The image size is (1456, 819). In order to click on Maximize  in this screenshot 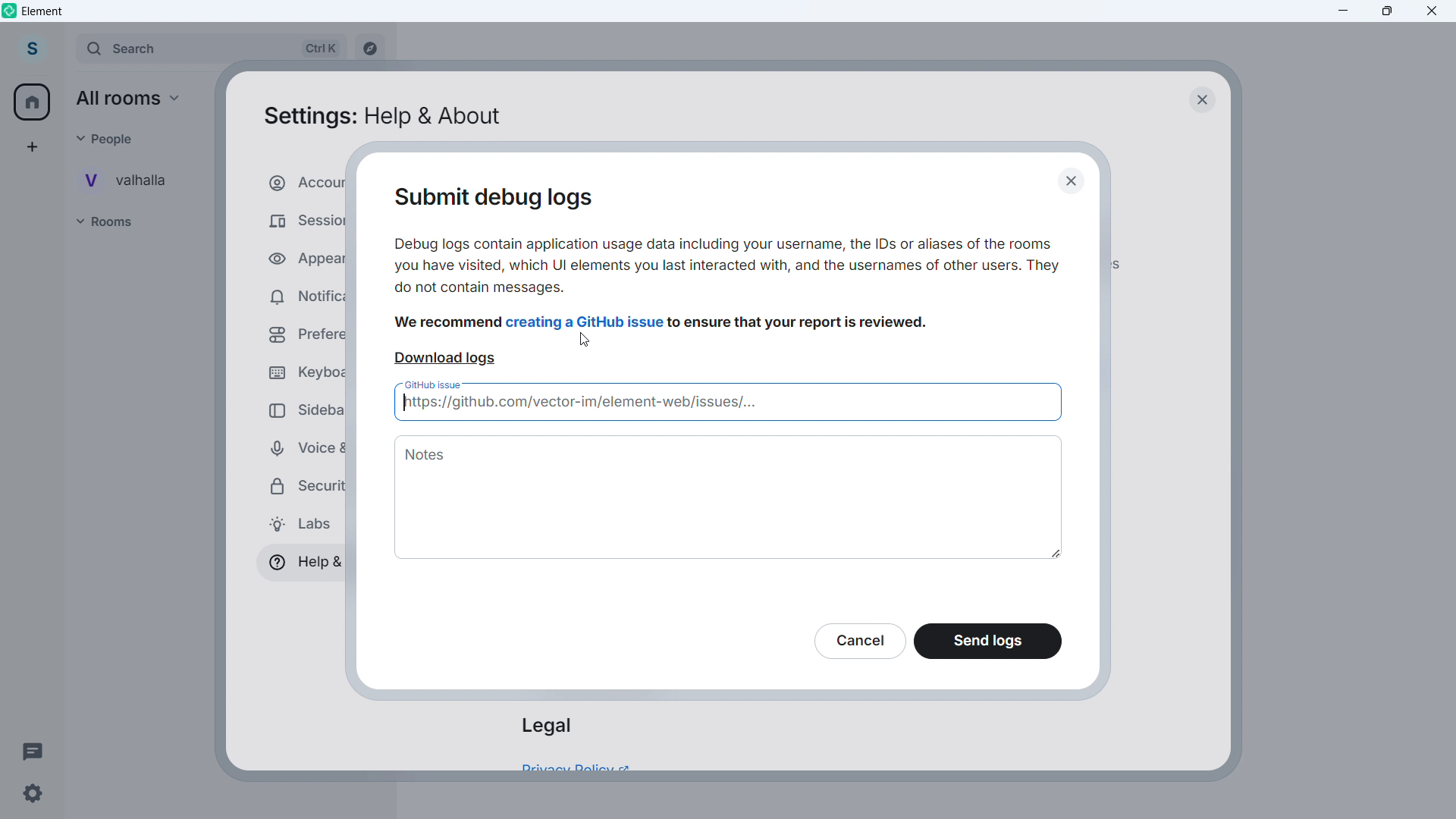, I will do `click(1388, 11)`.